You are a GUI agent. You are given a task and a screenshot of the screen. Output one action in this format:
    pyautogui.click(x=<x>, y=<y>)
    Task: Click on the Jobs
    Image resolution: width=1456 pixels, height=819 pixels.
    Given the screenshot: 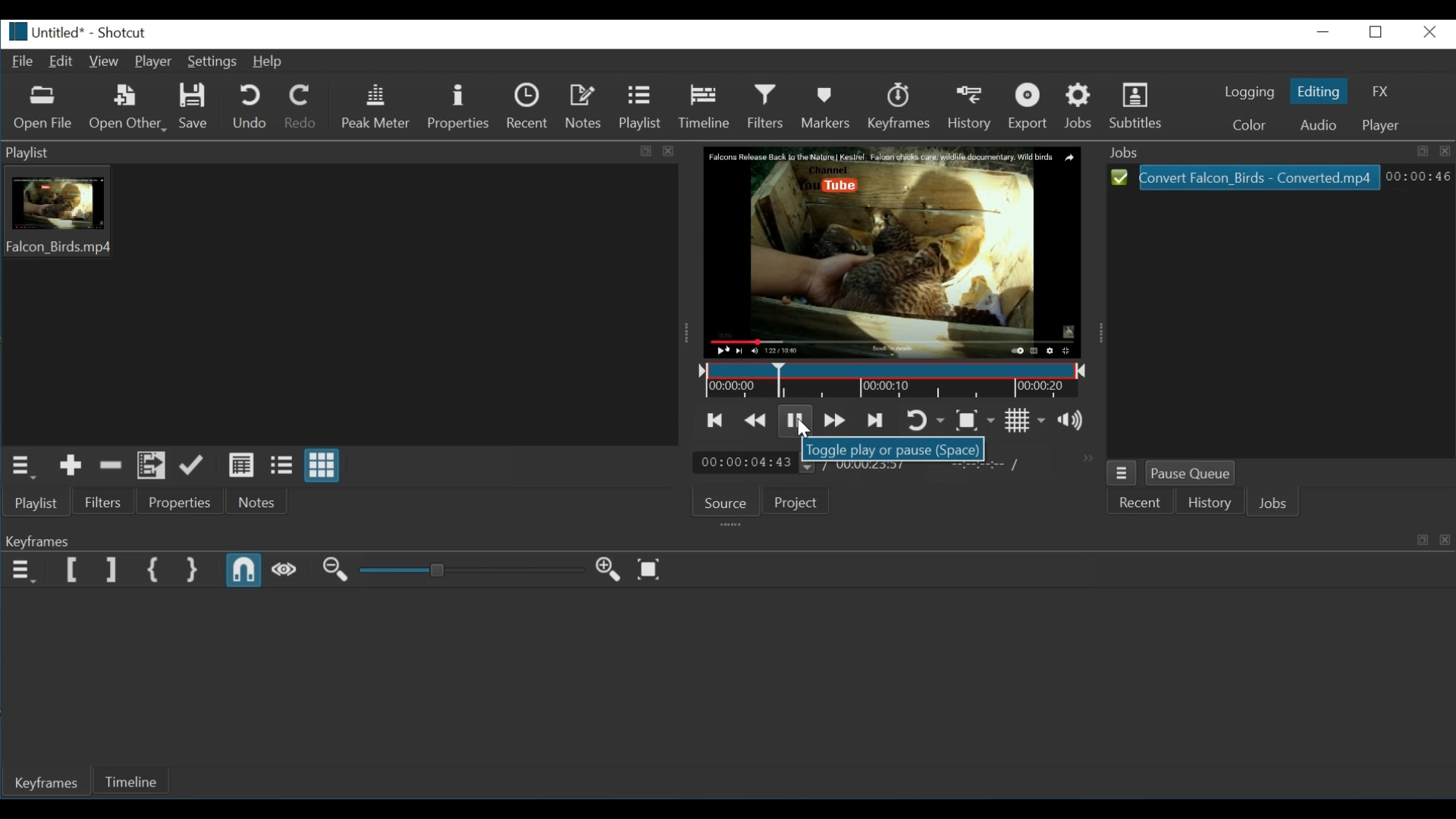 What is the action you would take?
    pyautogui.click(x=1080, y=106)
    